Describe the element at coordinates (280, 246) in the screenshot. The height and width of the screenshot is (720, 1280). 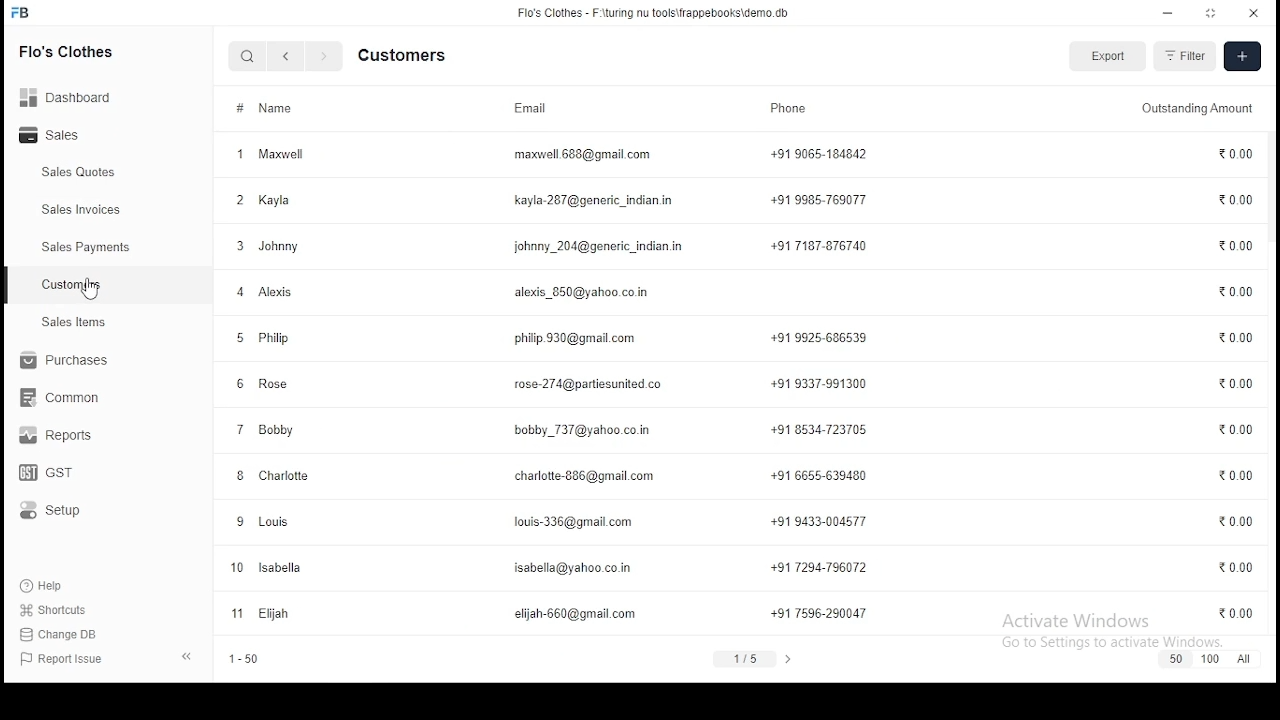
I see `Johnny` at that location.